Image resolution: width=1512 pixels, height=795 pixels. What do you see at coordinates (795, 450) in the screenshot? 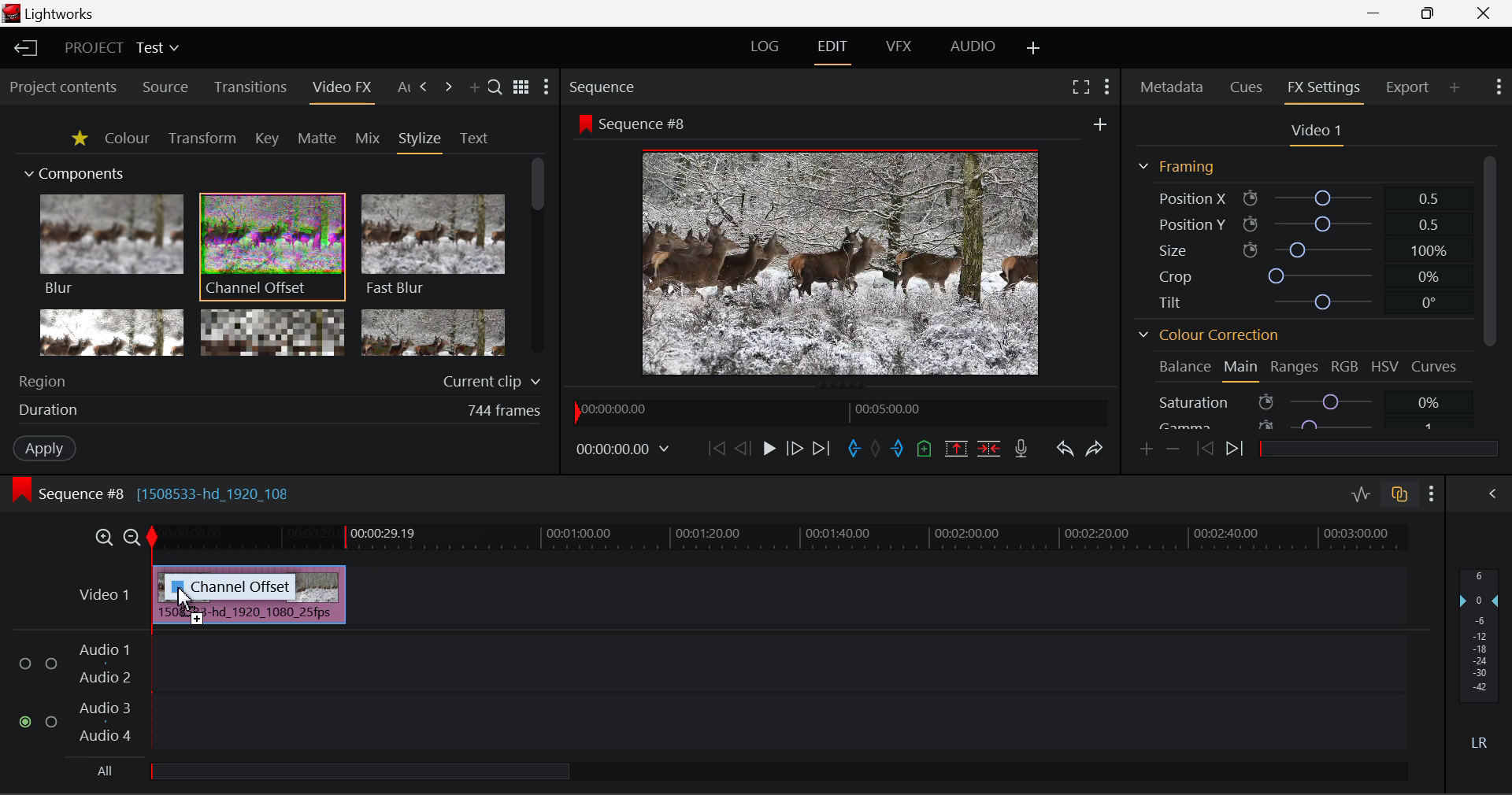
I see `Go Forward` at bounding box center [795, 450].